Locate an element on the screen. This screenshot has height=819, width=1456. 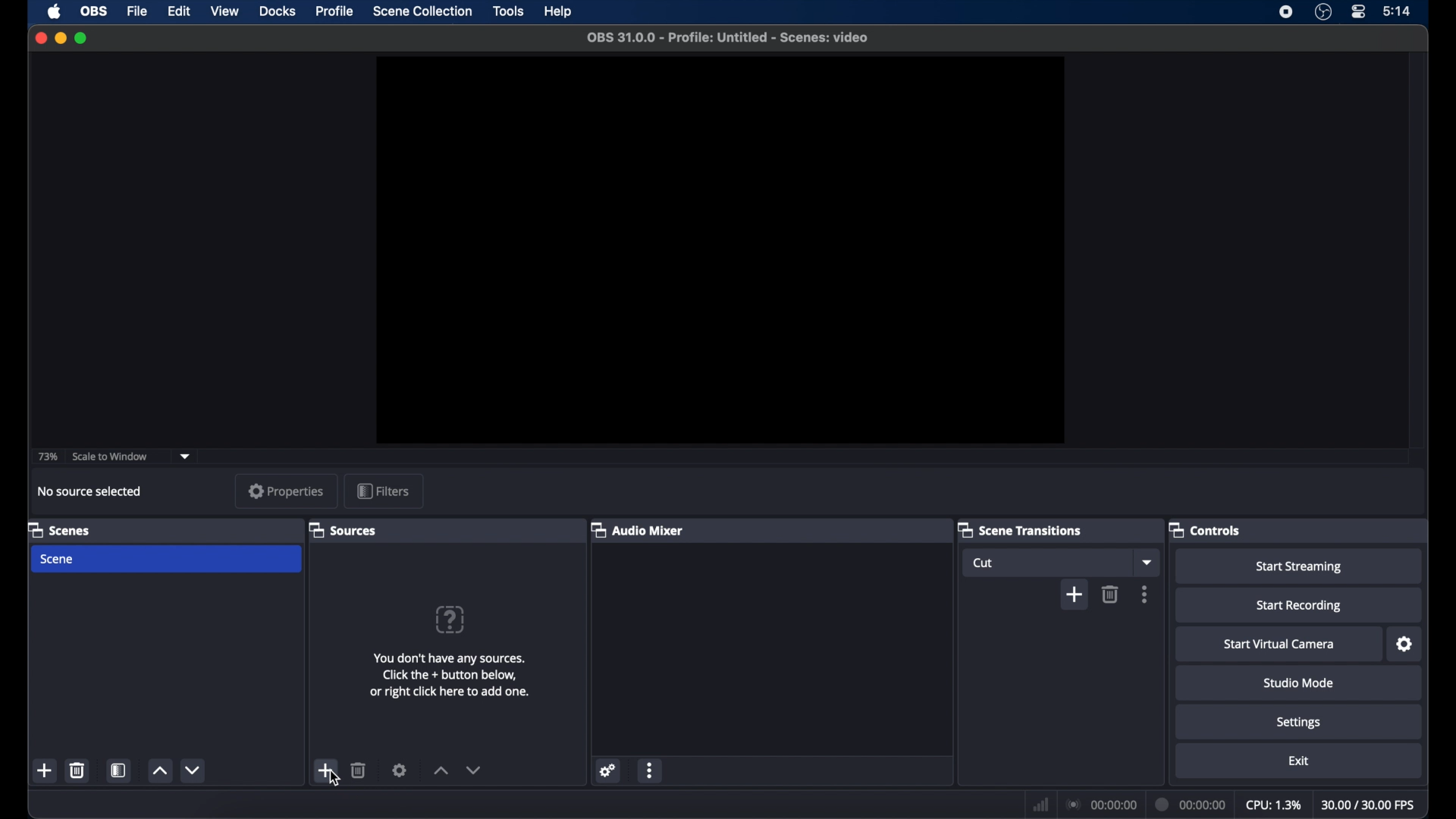
add is located at coordinates (326, 770).